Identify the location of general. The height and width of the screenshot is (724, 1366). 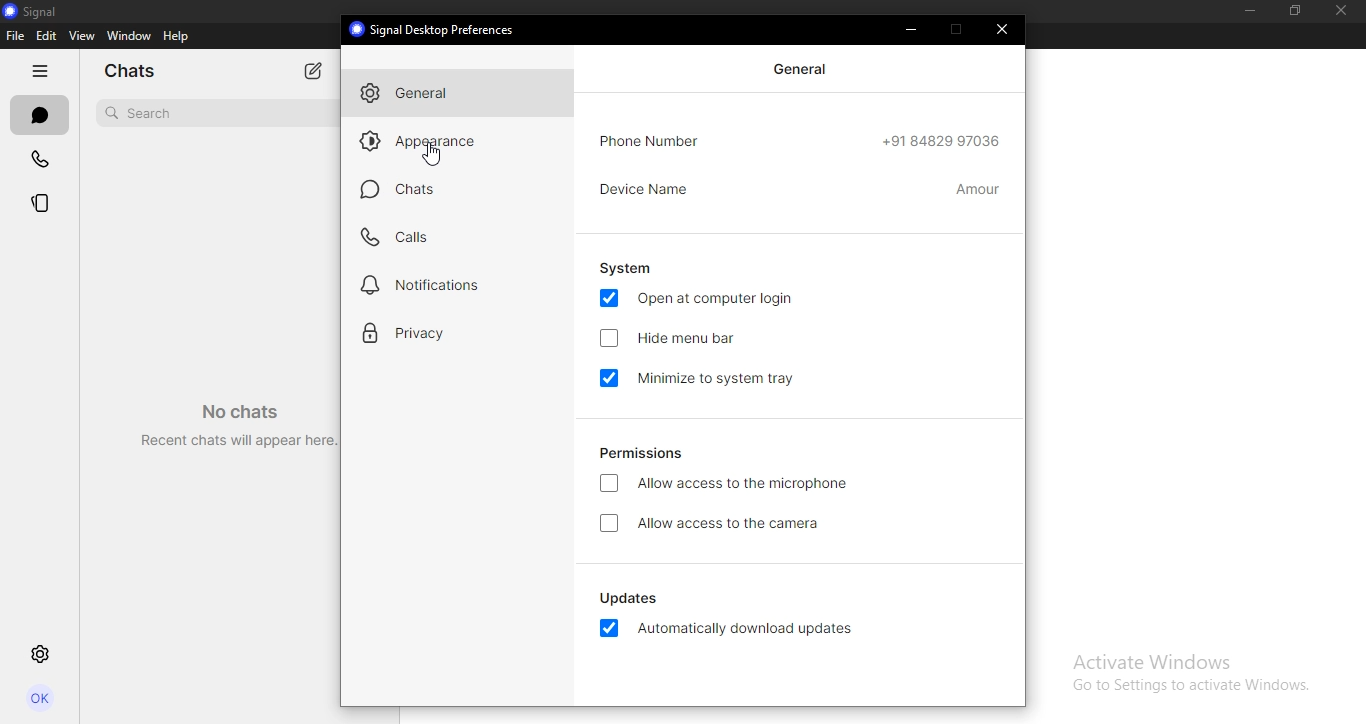
(416, 94).